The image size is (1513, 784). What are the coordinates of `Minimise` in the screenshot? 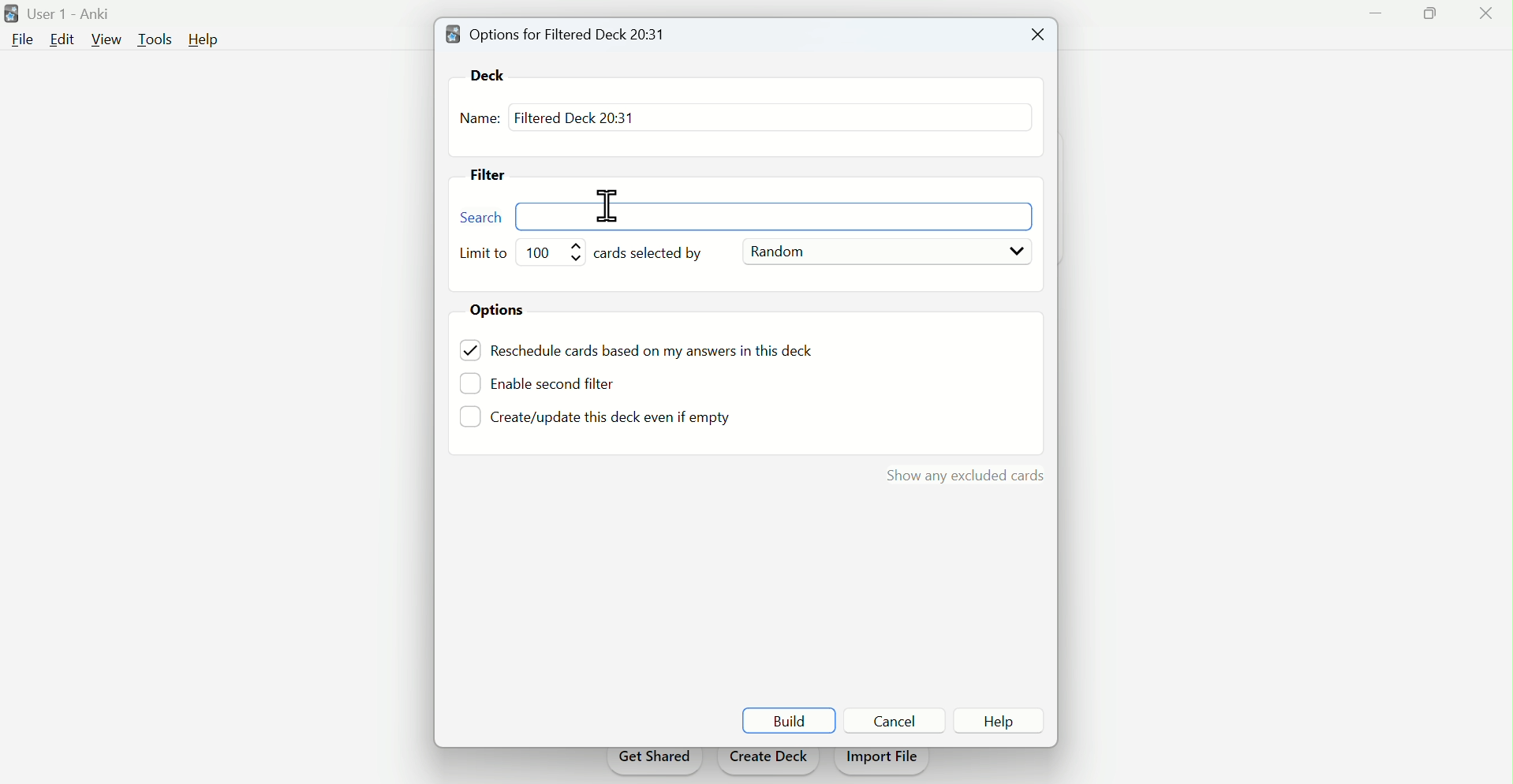 It's located at (1371, 22).